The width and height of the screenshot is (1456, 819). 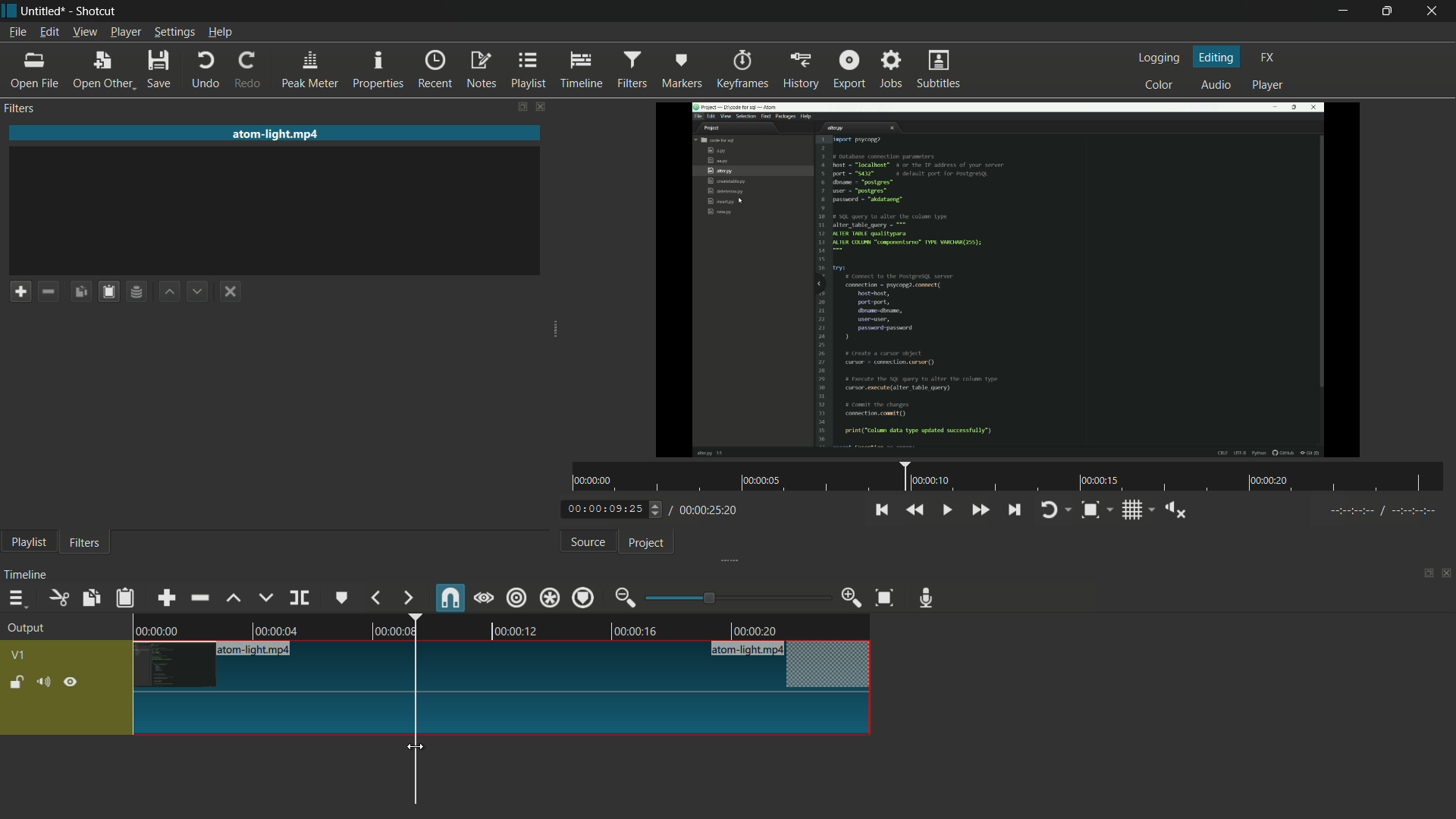 I want to click on peak meter, so click(x=310, y=71).